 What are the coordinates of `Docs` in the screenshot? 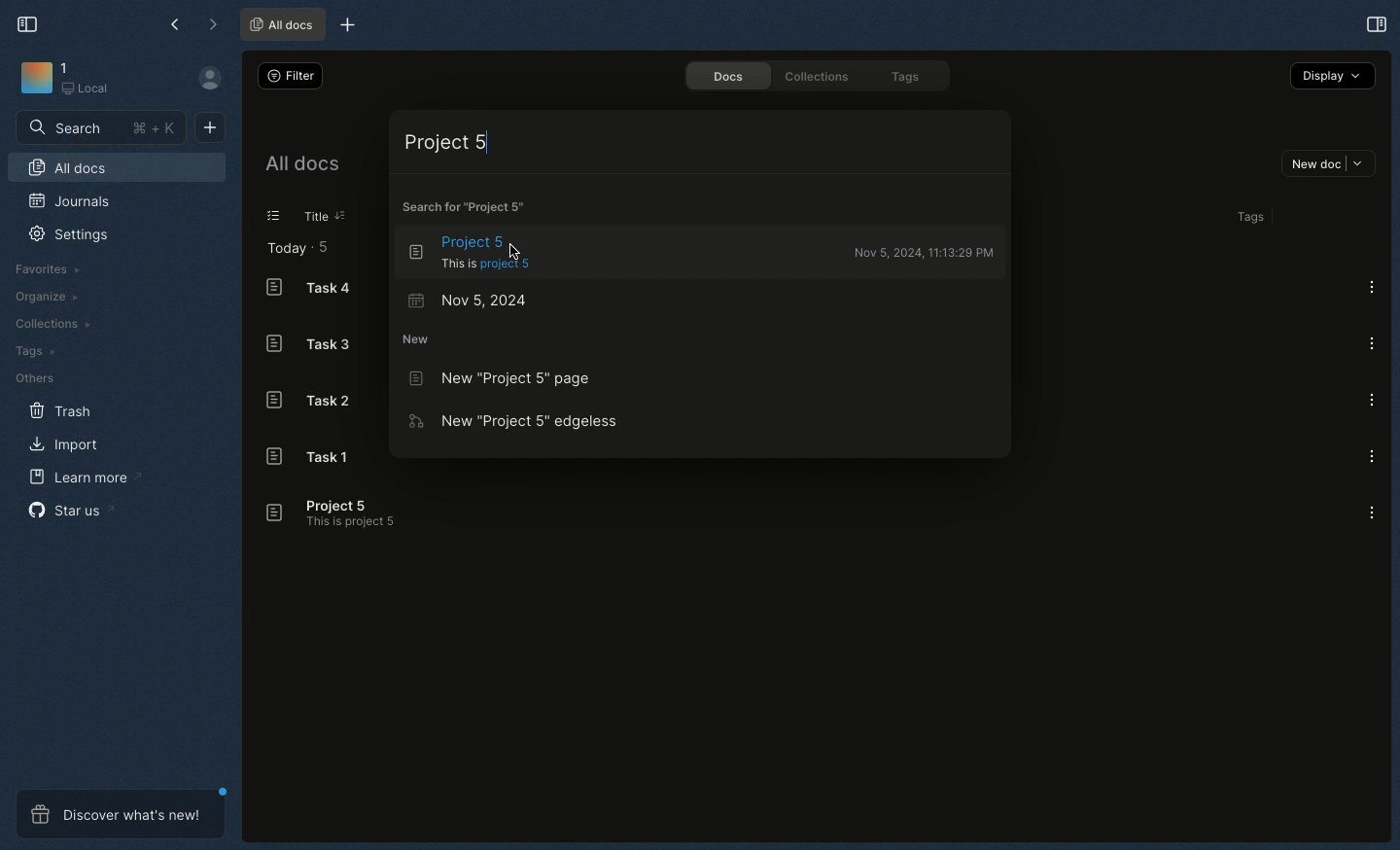 It's located at (723, 75).